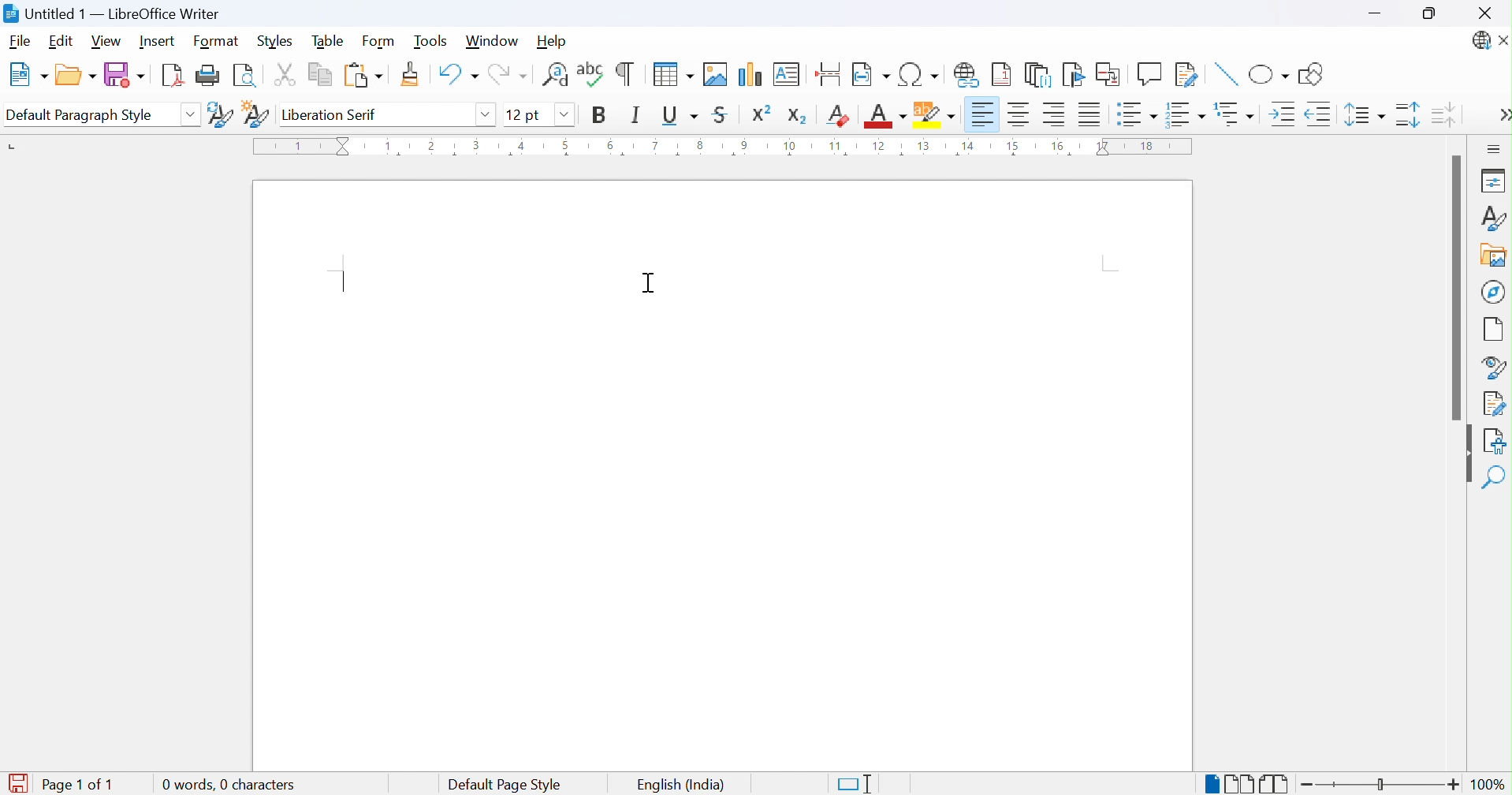 The image size is (1512, 795). Describe the element at coordinates (244, 77) in the screenshot. I see `Toggle print preview` at that location.